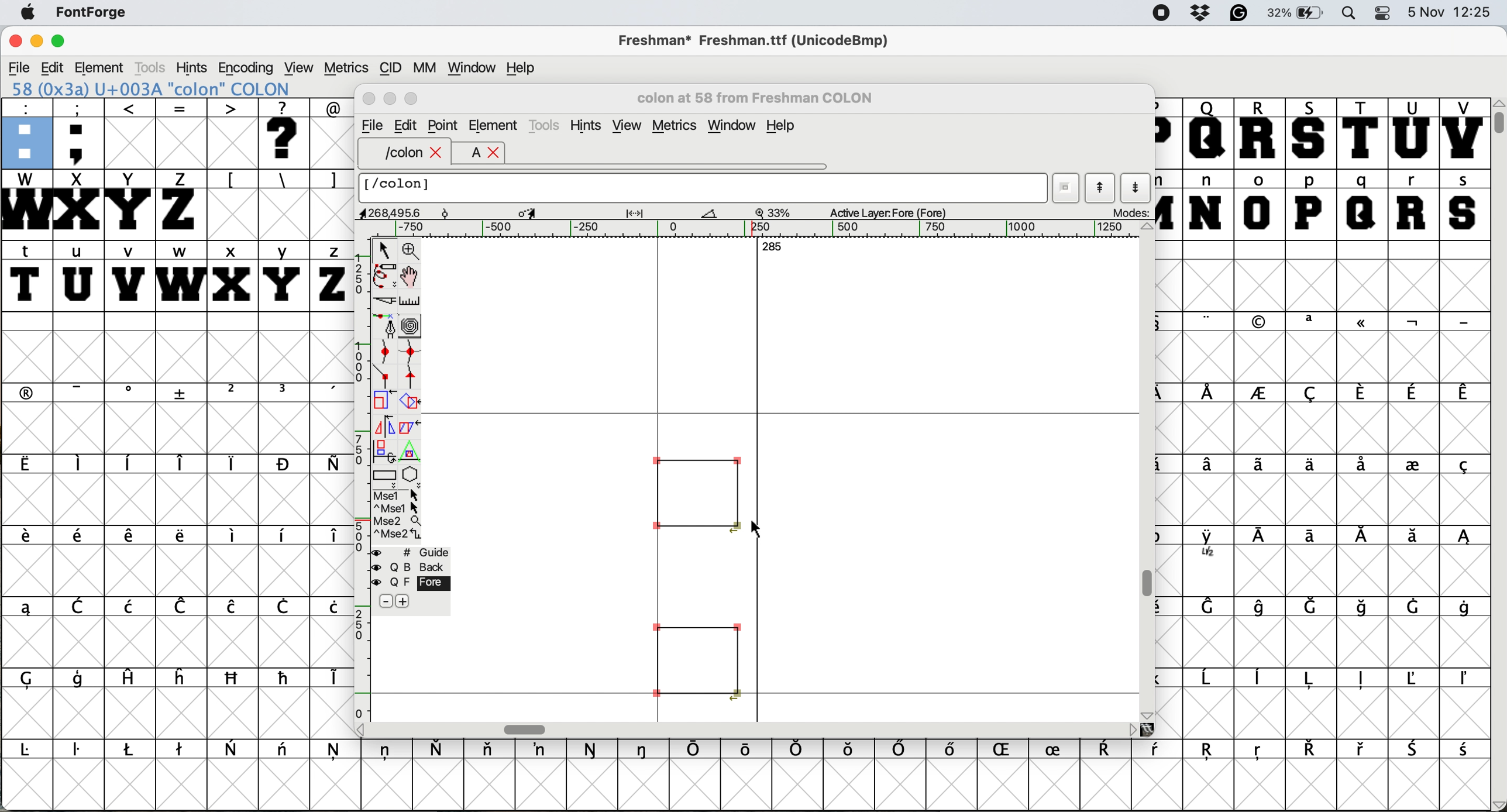 This screenshot has height=812, width=1507. What do you see at coordinates (283, 180) in the screenshot?
I see `\` at bounding box center [283, 180].